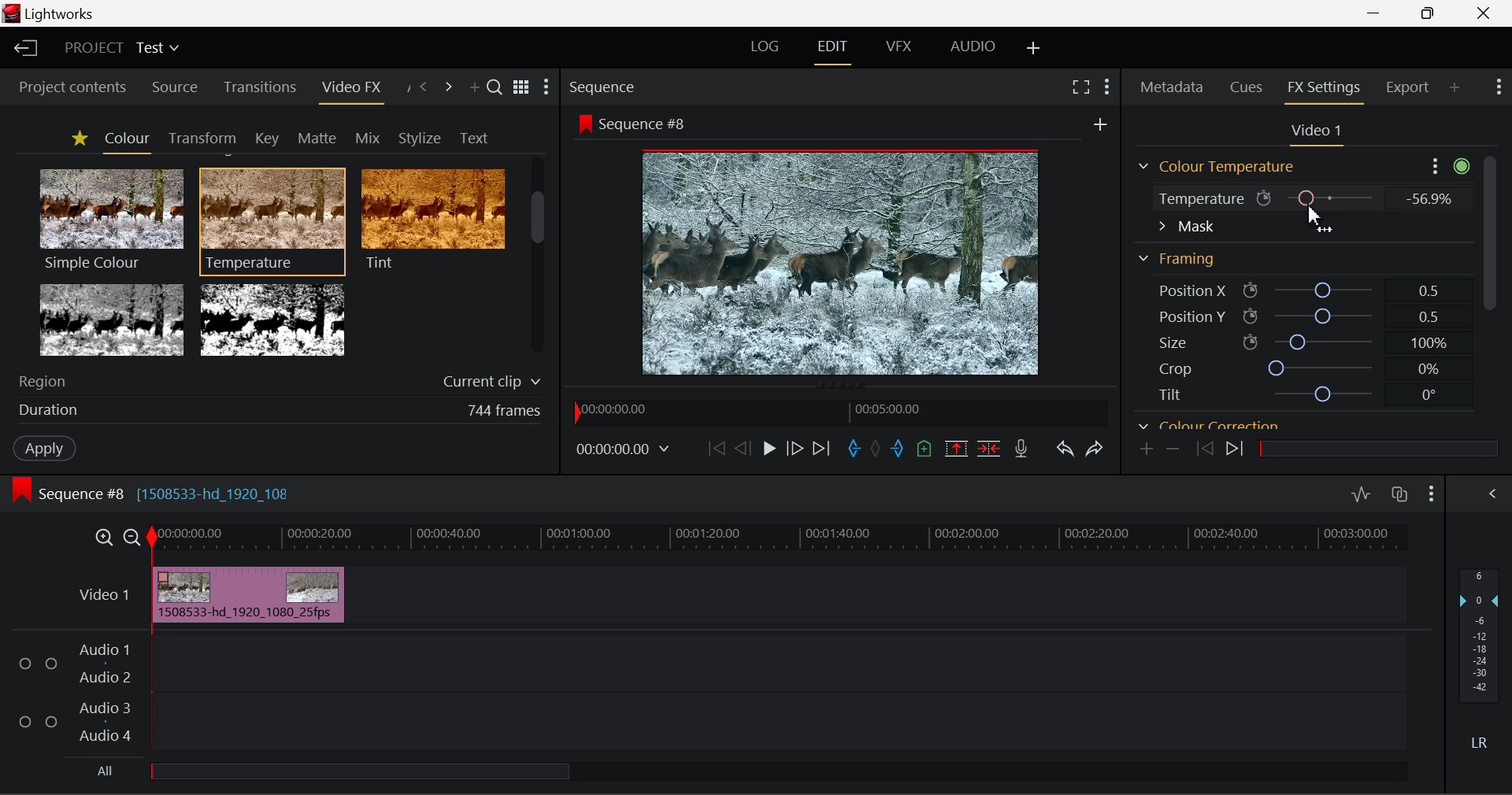 Image resolution: width=1512 pixels, height=795 pixels. What do you see at coordinates (258, 87) in the screenshot?
I see `Transitions` at bounding box center [258, 87].